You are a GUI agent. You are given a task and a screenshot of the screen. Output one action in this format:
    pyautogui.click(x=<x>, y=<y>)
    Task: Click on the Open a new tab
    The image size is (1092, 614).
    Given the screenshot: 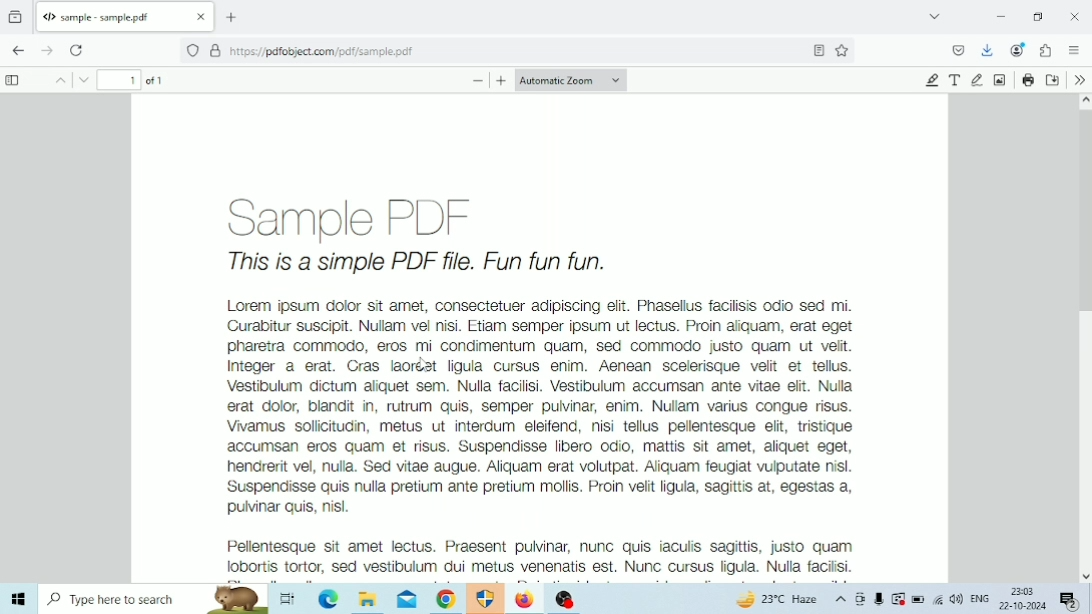 What is the action you would take?
    pyautogui.click(x=231, y=17)
    